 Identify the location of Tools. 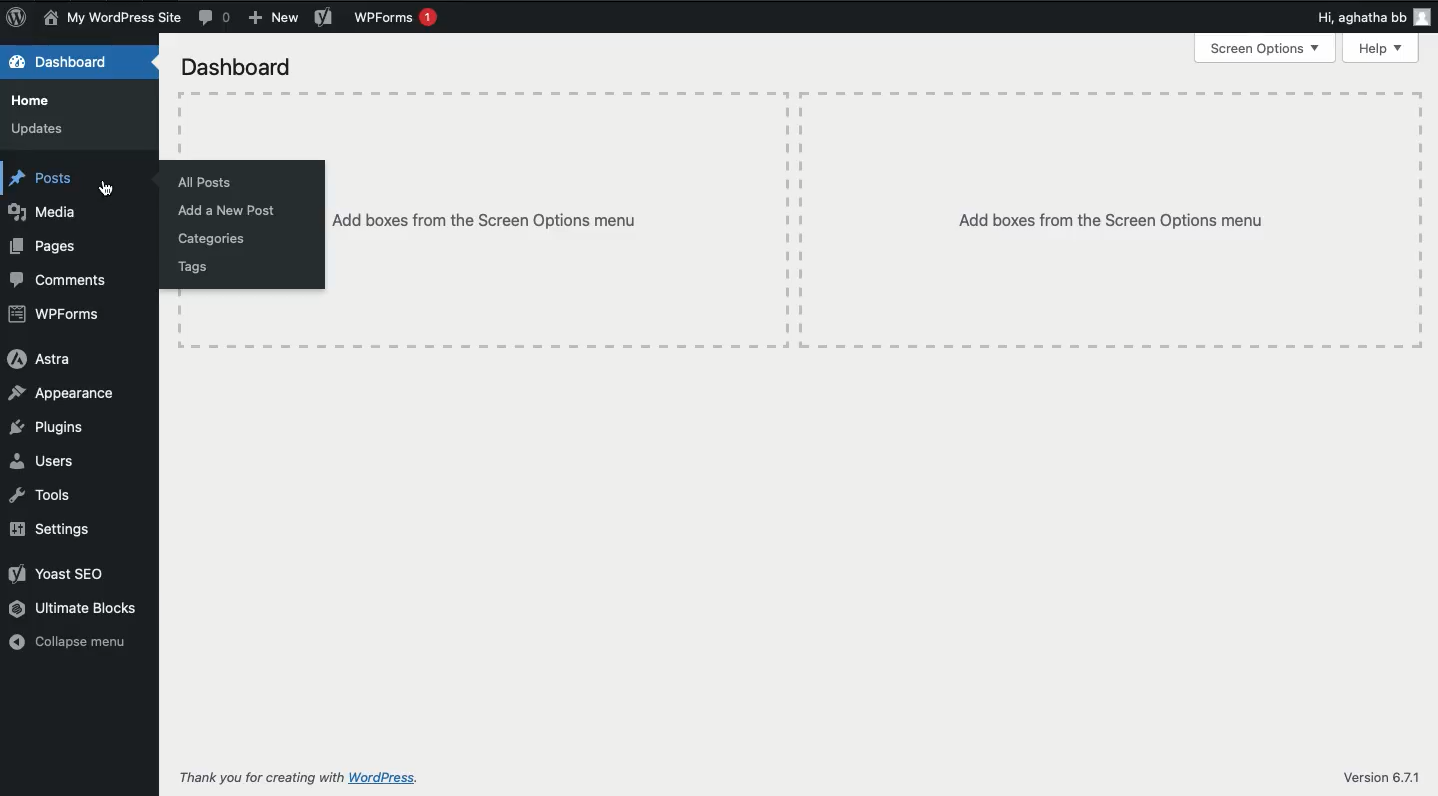
(42, 495).